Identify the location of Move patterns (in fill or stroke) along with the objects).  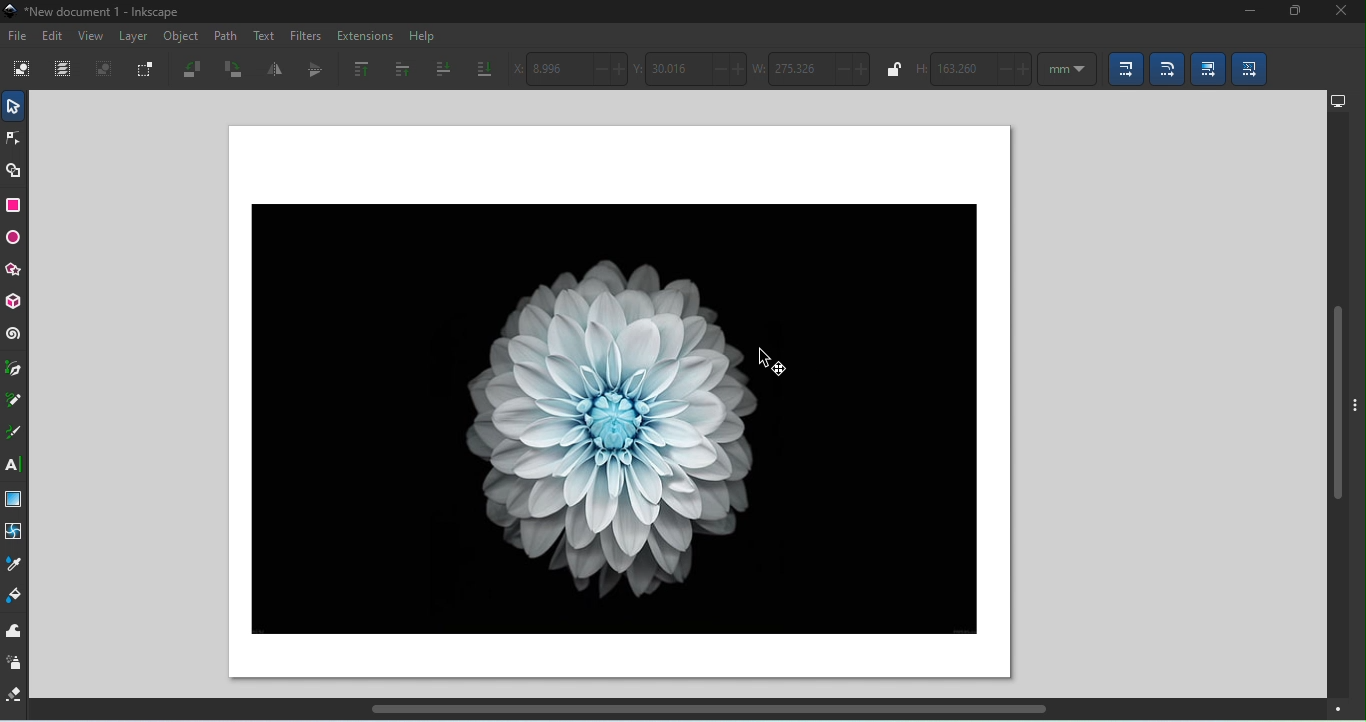
(1252, 70).